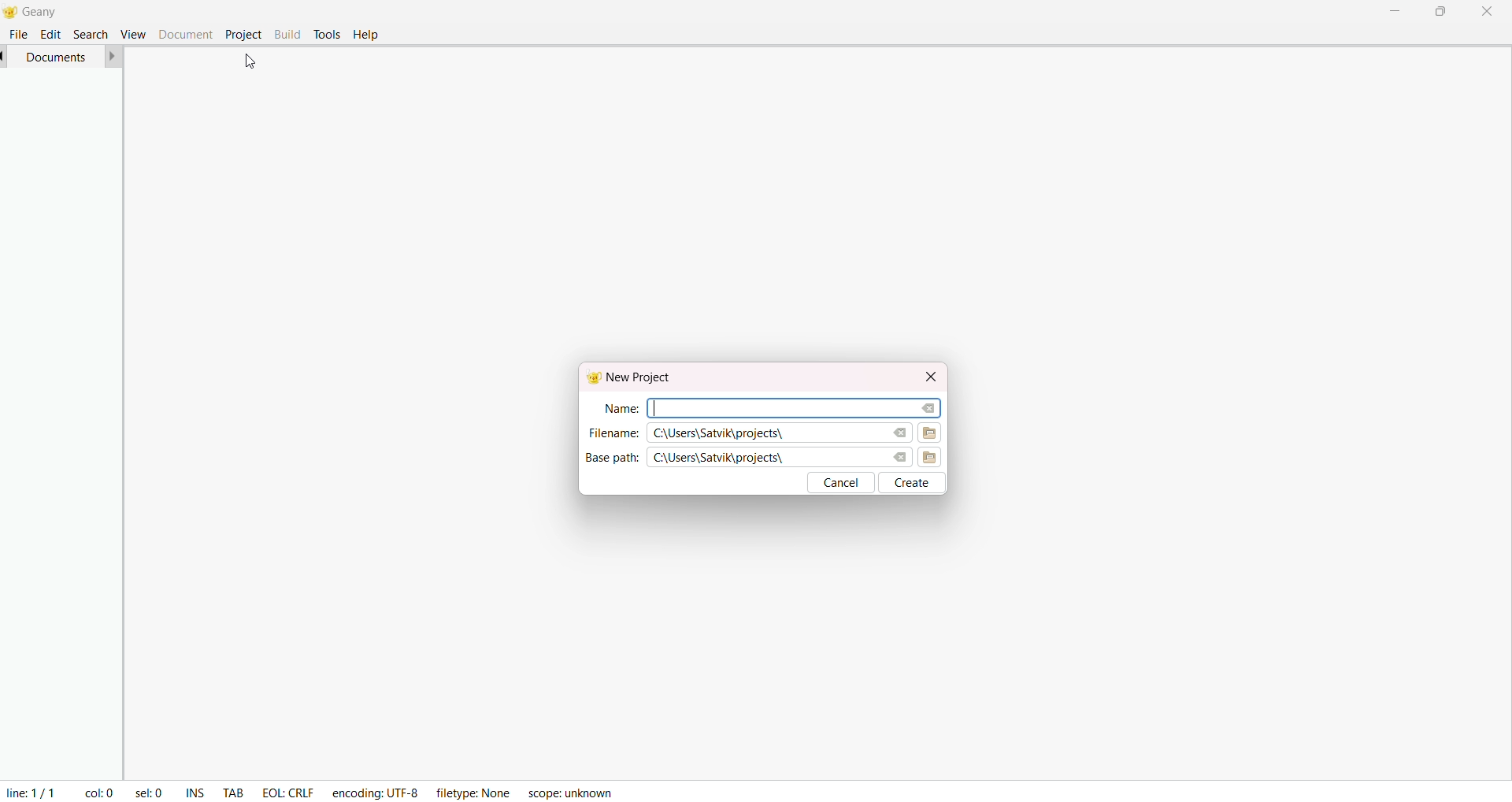  I want to click on forward, so click(113, 56).